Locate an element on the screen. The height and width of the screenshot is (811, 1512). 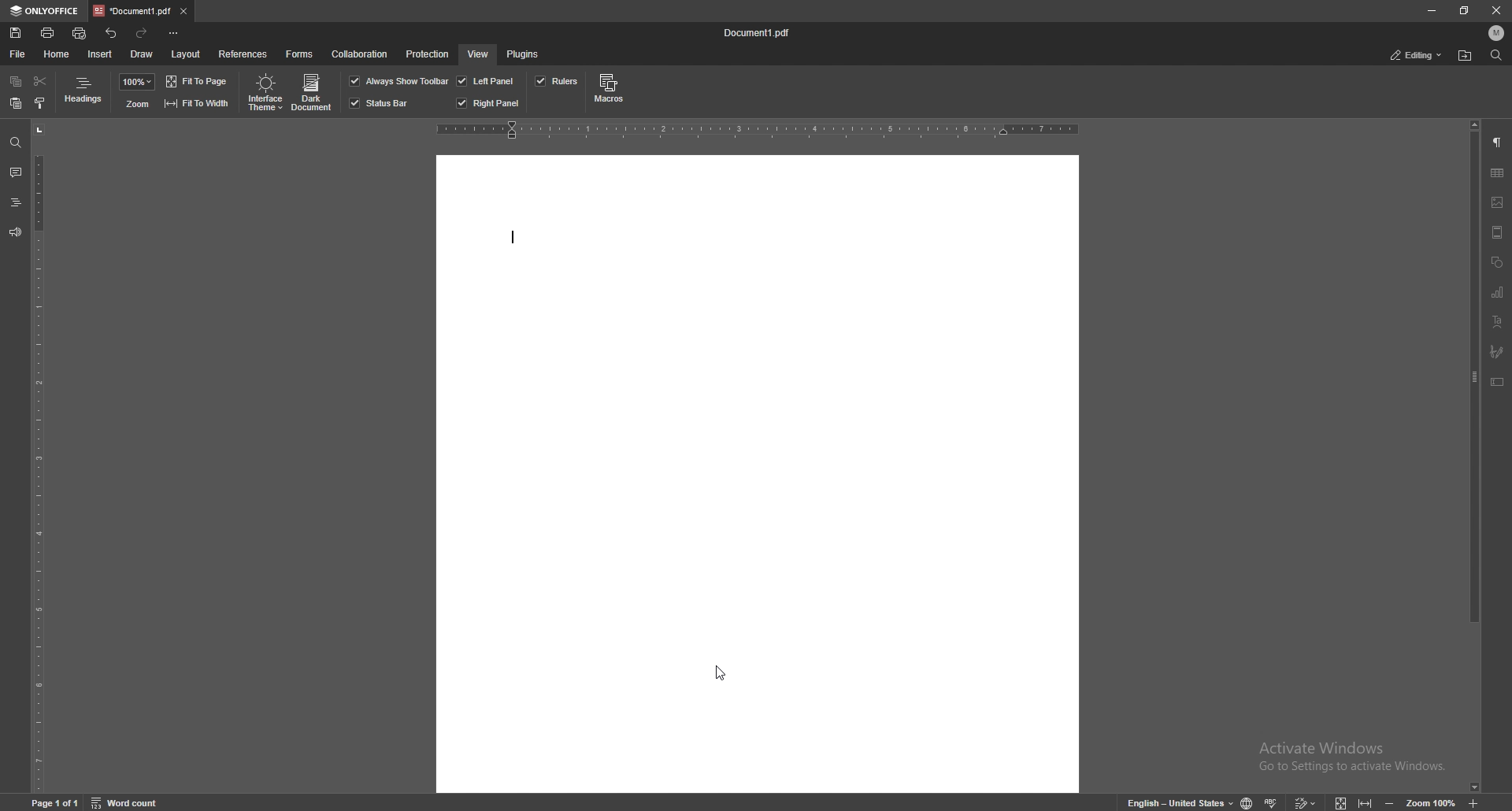
copy is located at coordinates (16, 83).